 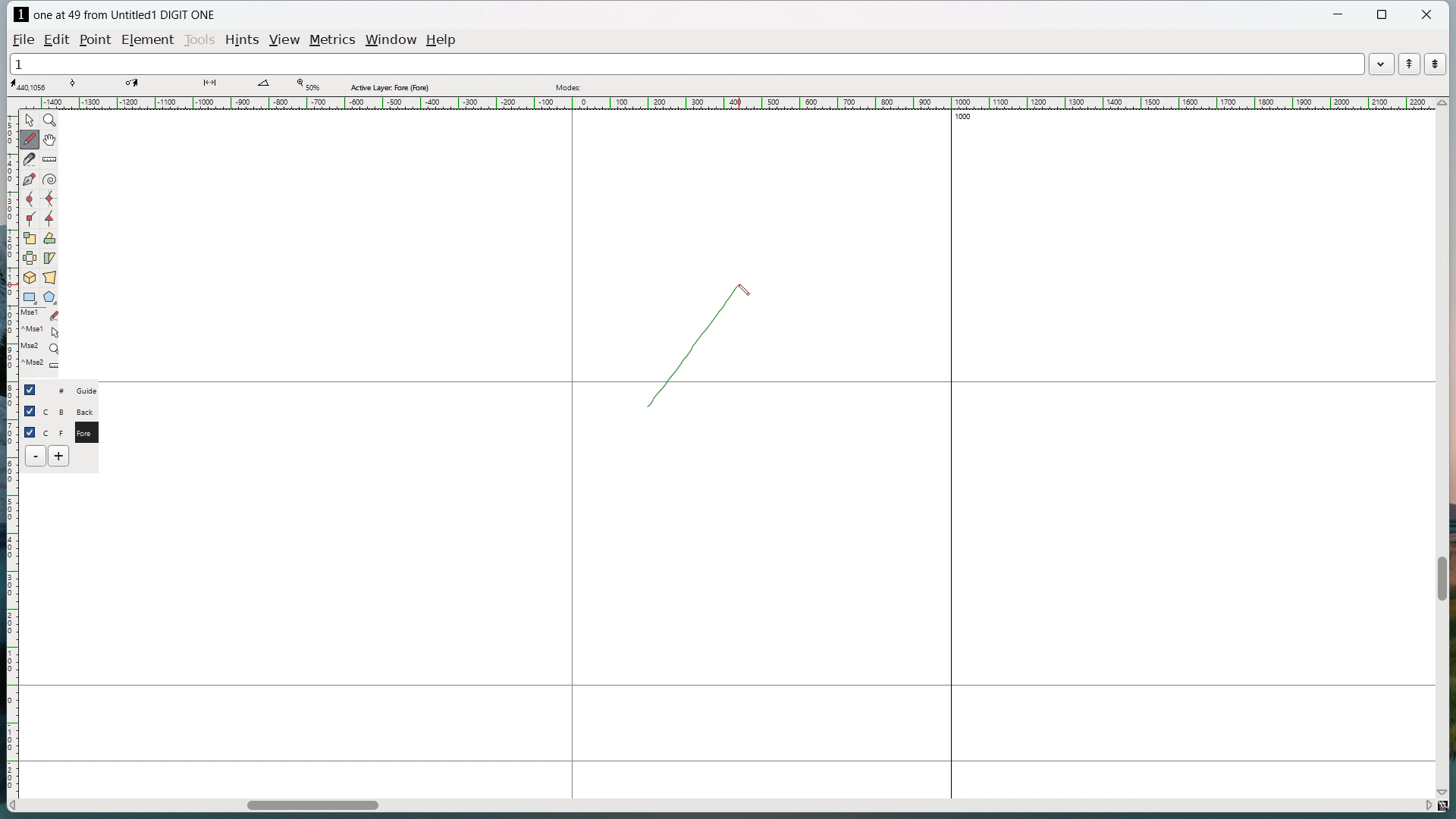 What do you see at coordinates (209, 83) in the screenshot?
I see `distance between points` at bounding box center [209, 83].